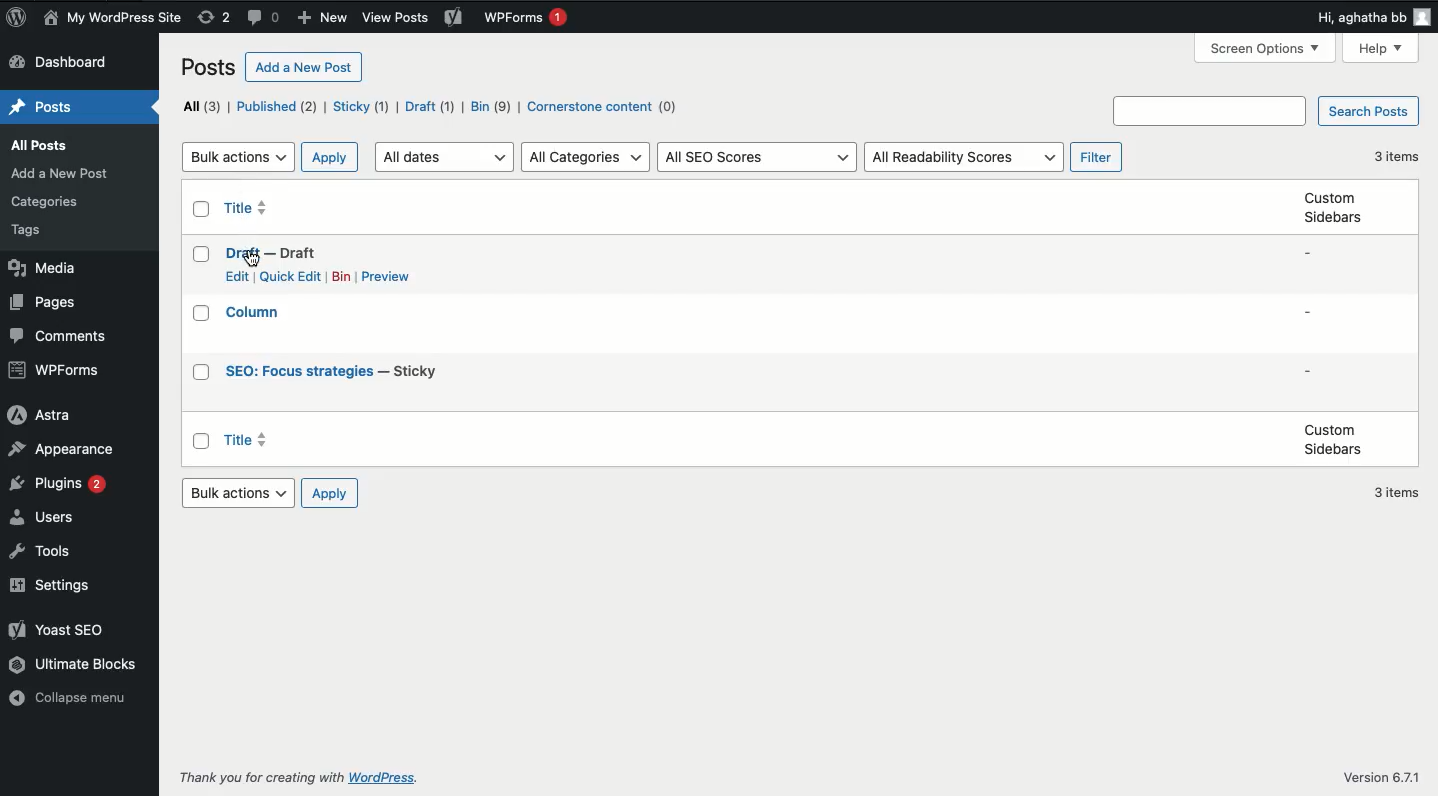 The height and width of the screenshot is (796, 1438). I want to click on Published, so click(284, 108).